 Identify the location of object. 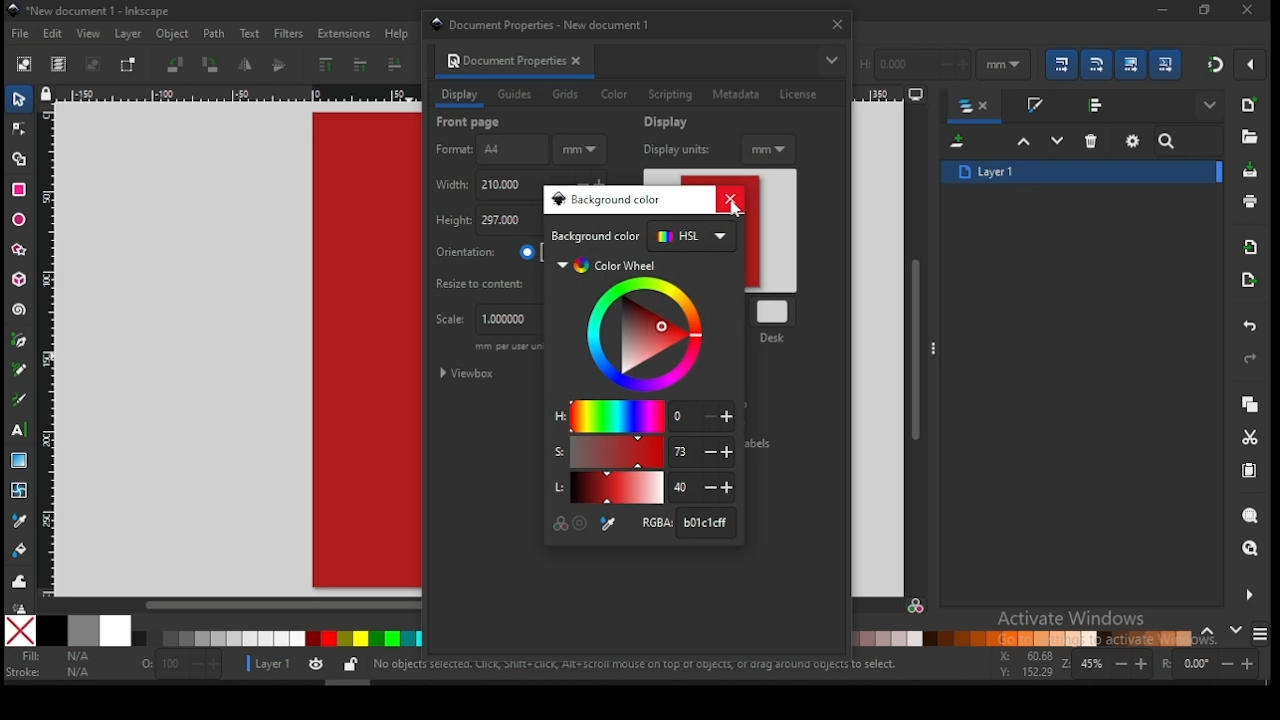
(173, 35).